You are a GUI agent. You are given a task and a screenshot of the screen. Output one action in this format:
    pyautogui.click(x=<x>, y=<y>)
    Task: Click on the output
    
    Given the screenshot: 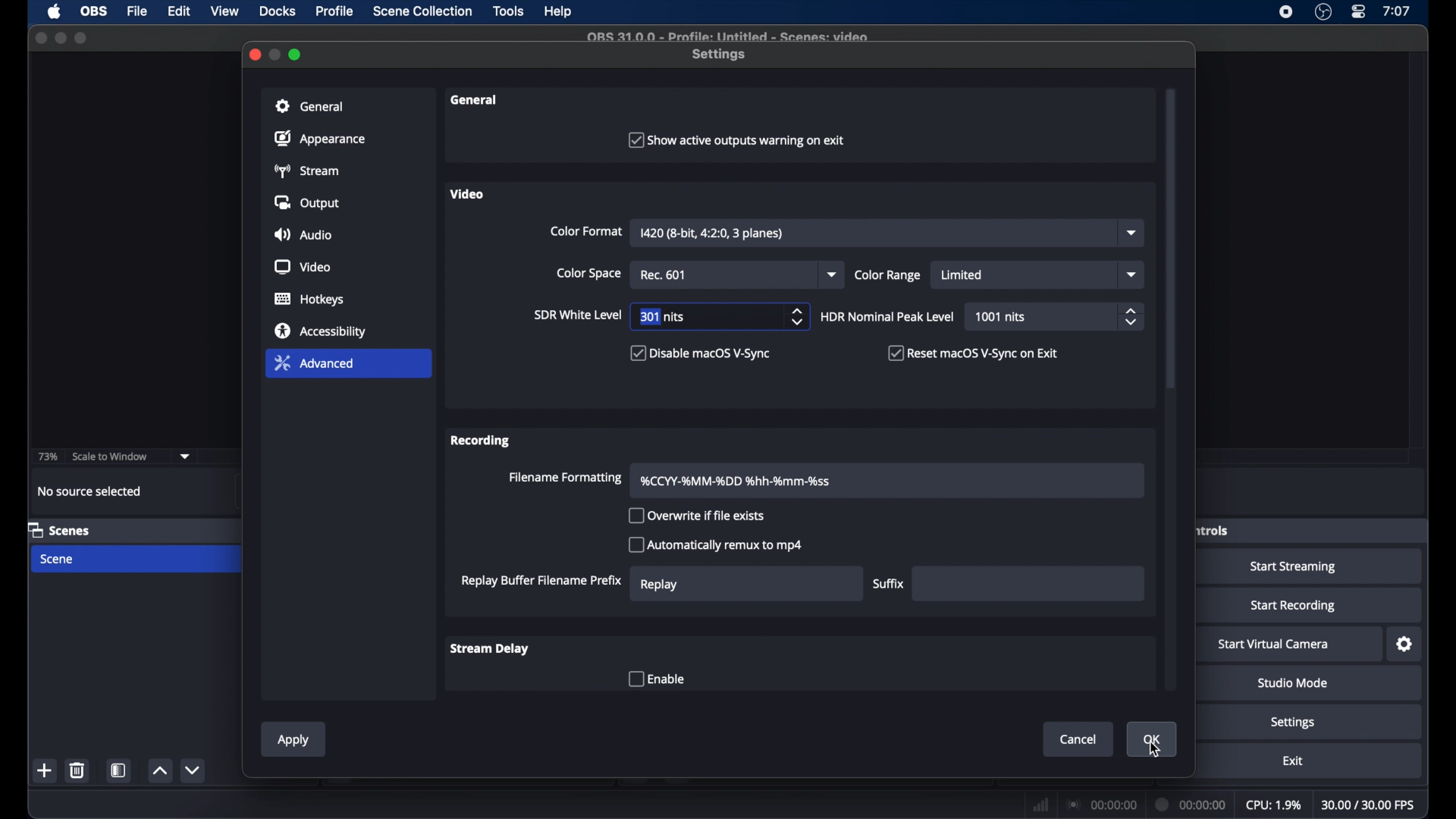 What is the action you would take?
    pyautogui.click(x=310, y=203)
    